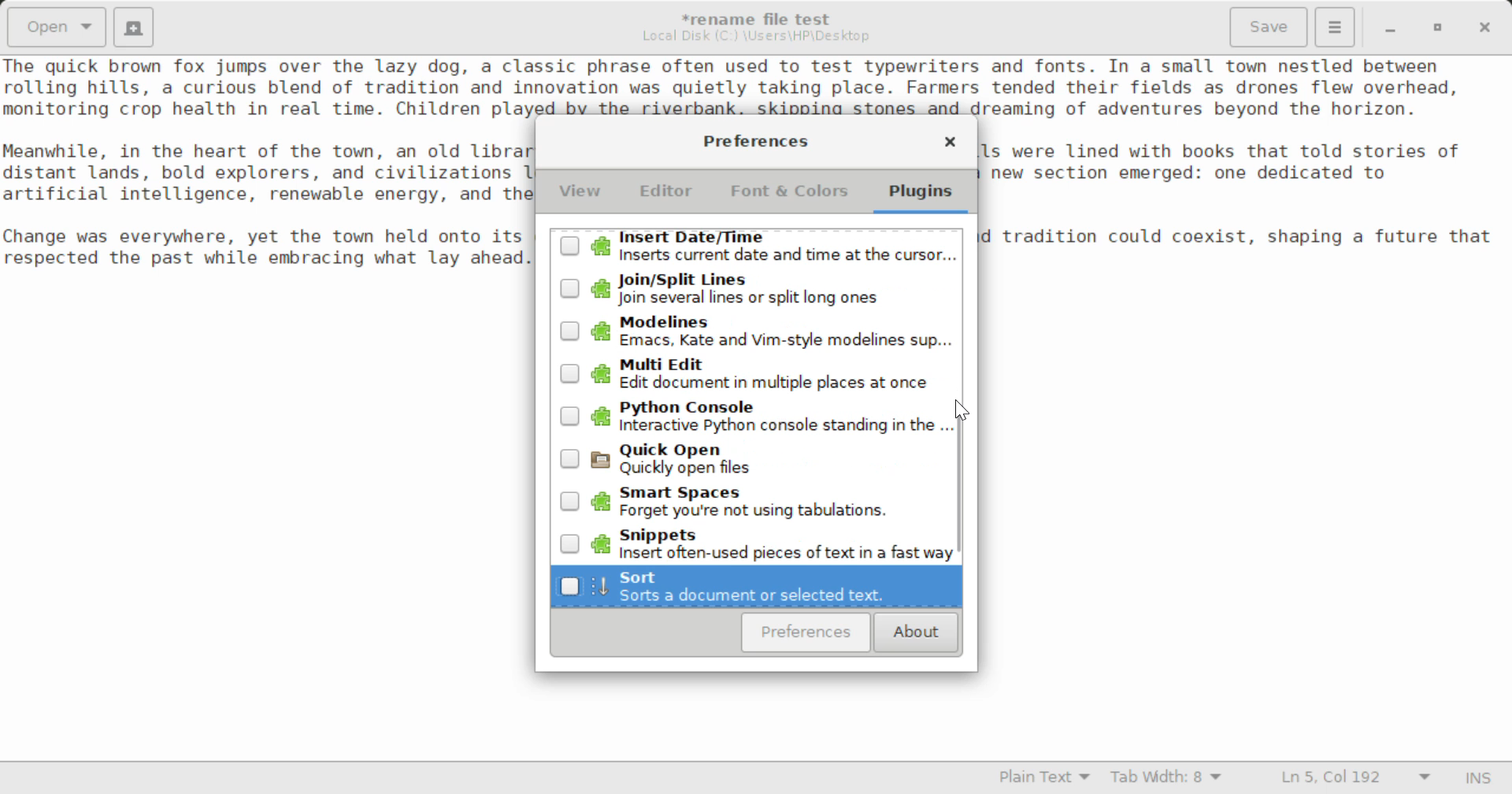  Describe the element at coordinates (756, 36) in the screenshot. I see `File Location` at that location.